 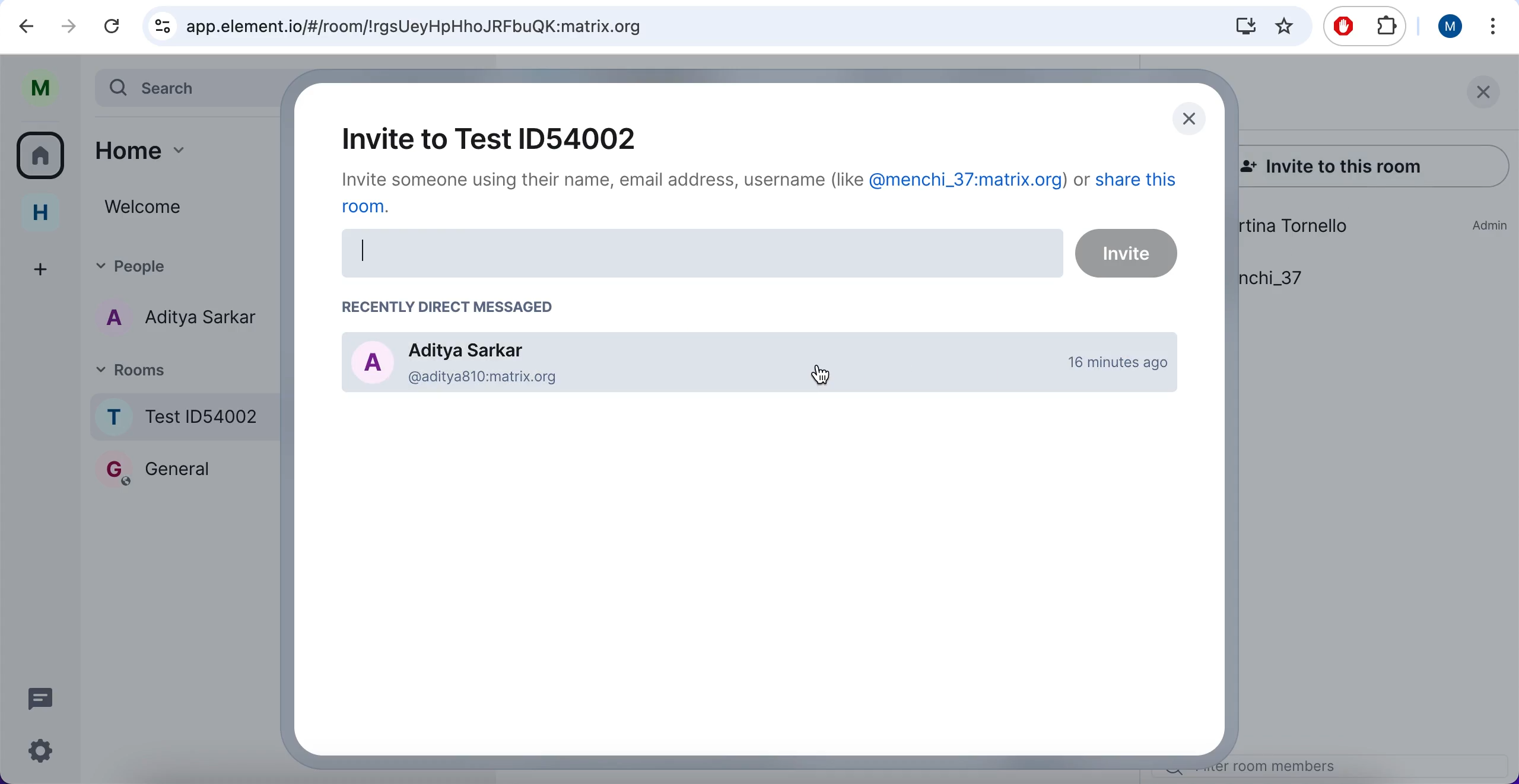 I want to click on home, so click(x=182, y=149).